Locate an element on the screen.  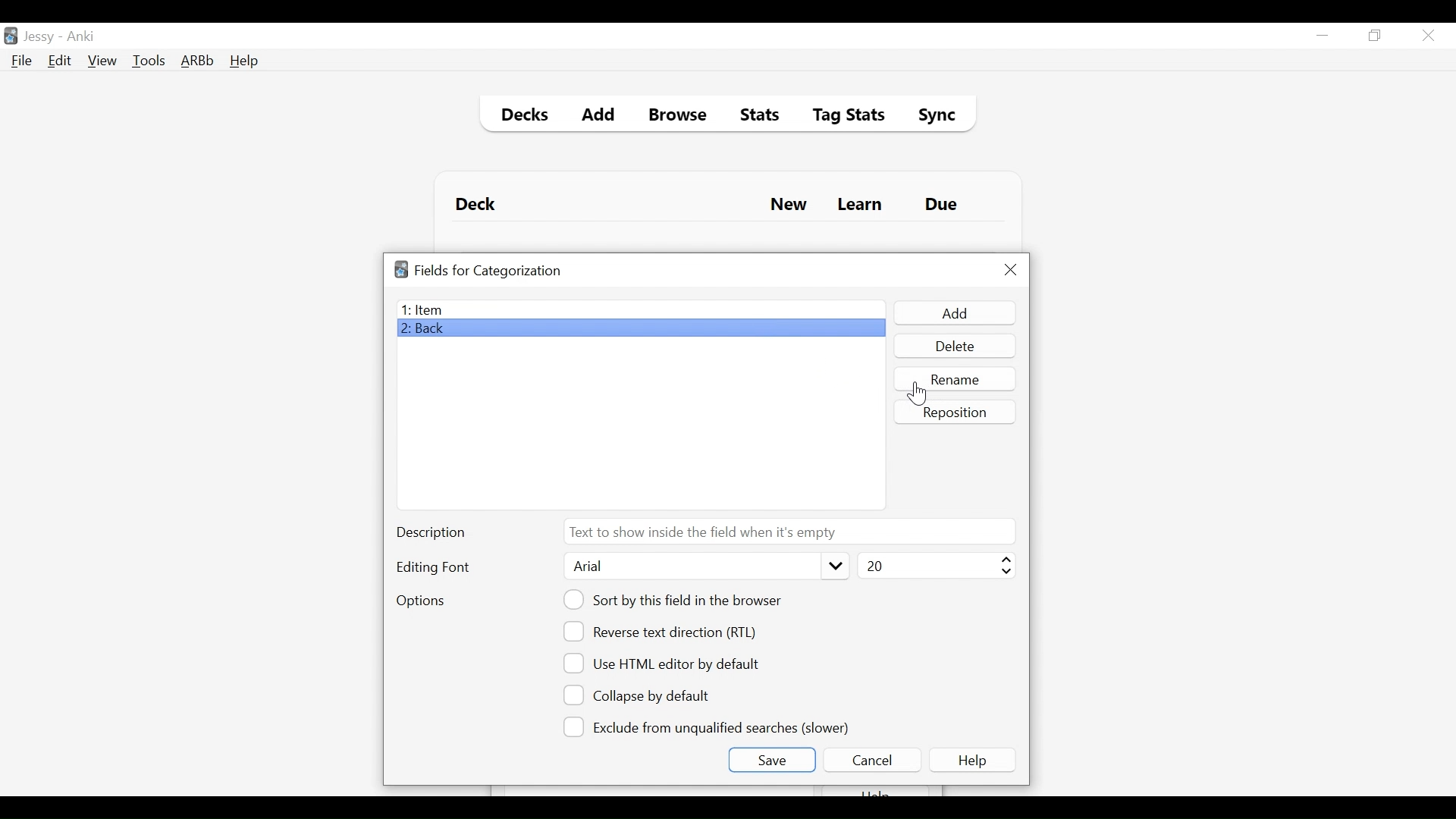
Reposition is located at coordinates (956, 412).